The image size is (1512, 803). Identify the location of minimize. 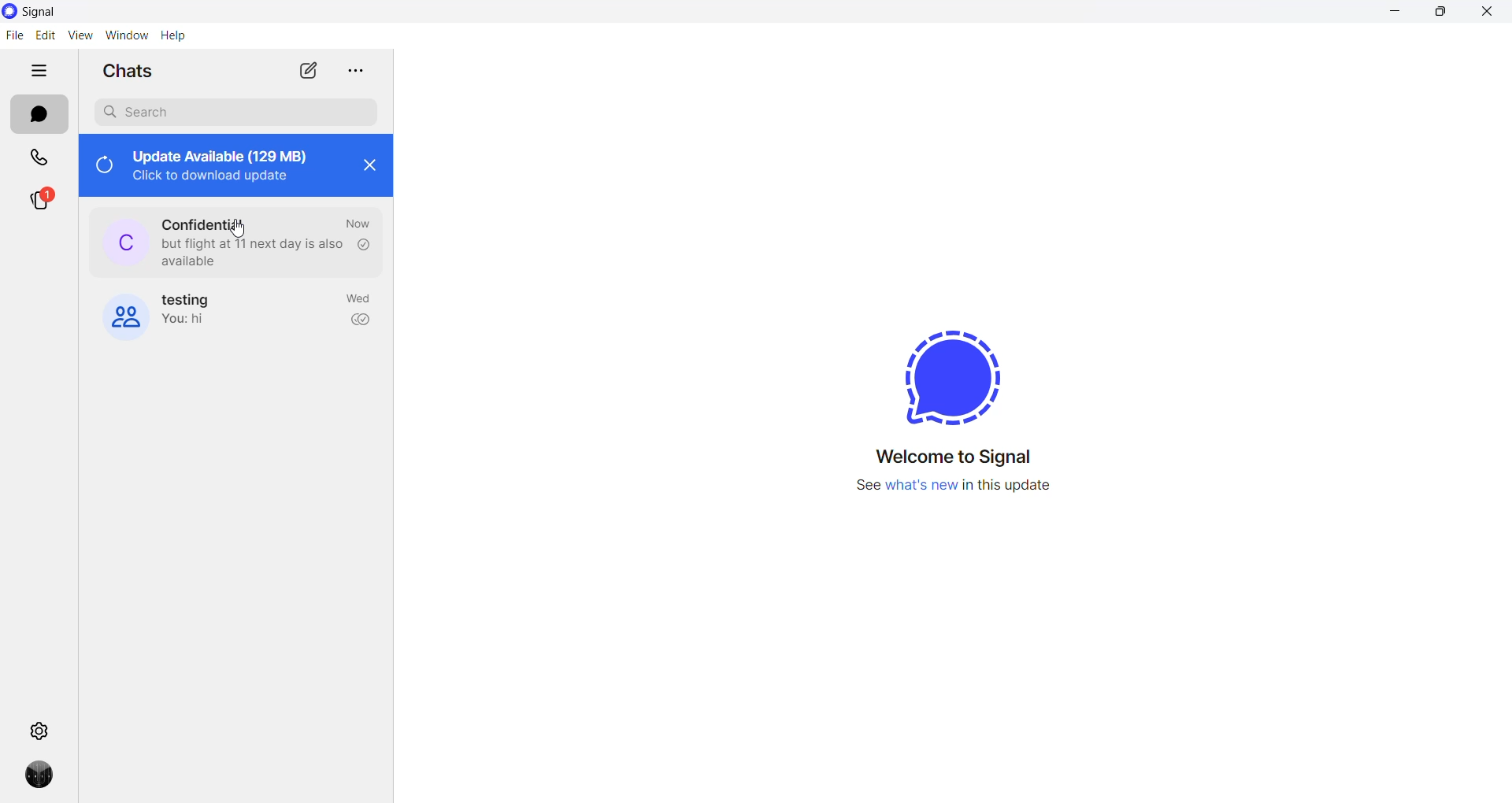
(1401, 13).